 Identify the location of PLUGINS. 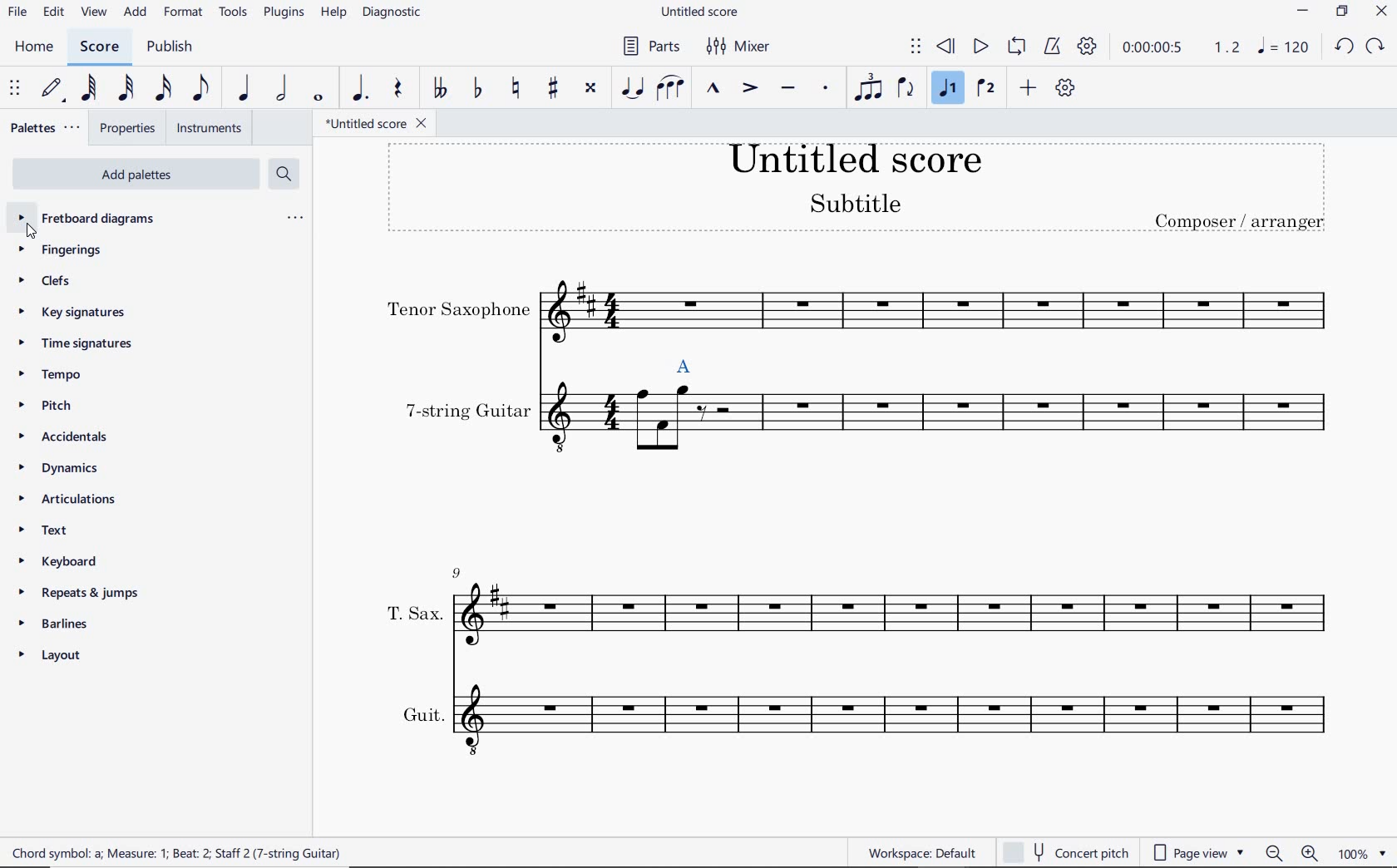
(285, 15).